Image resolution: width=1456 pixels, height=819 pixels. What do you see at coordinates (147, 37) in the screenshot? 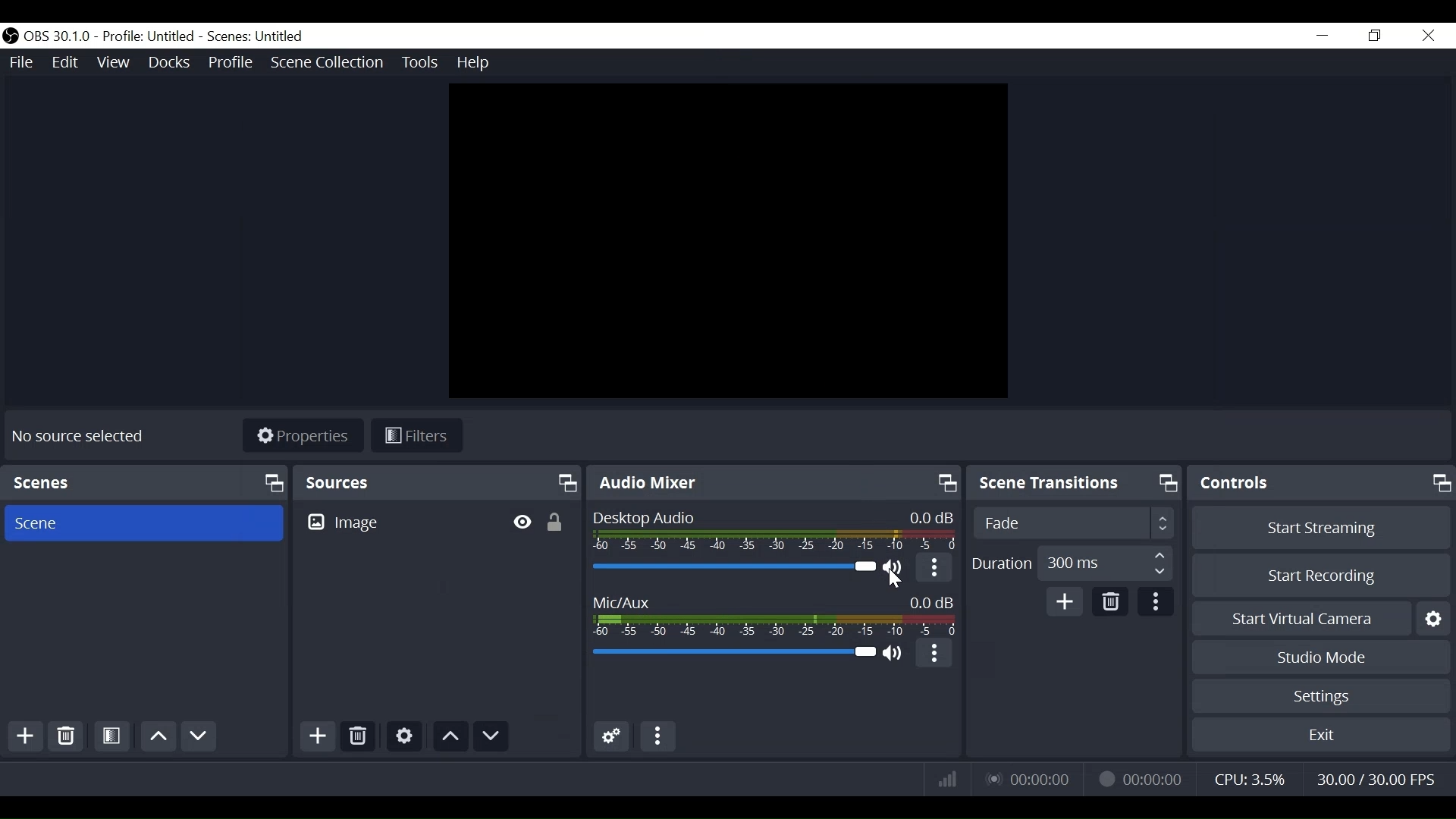
I see `Profile name` at bounding box center [147, 37].